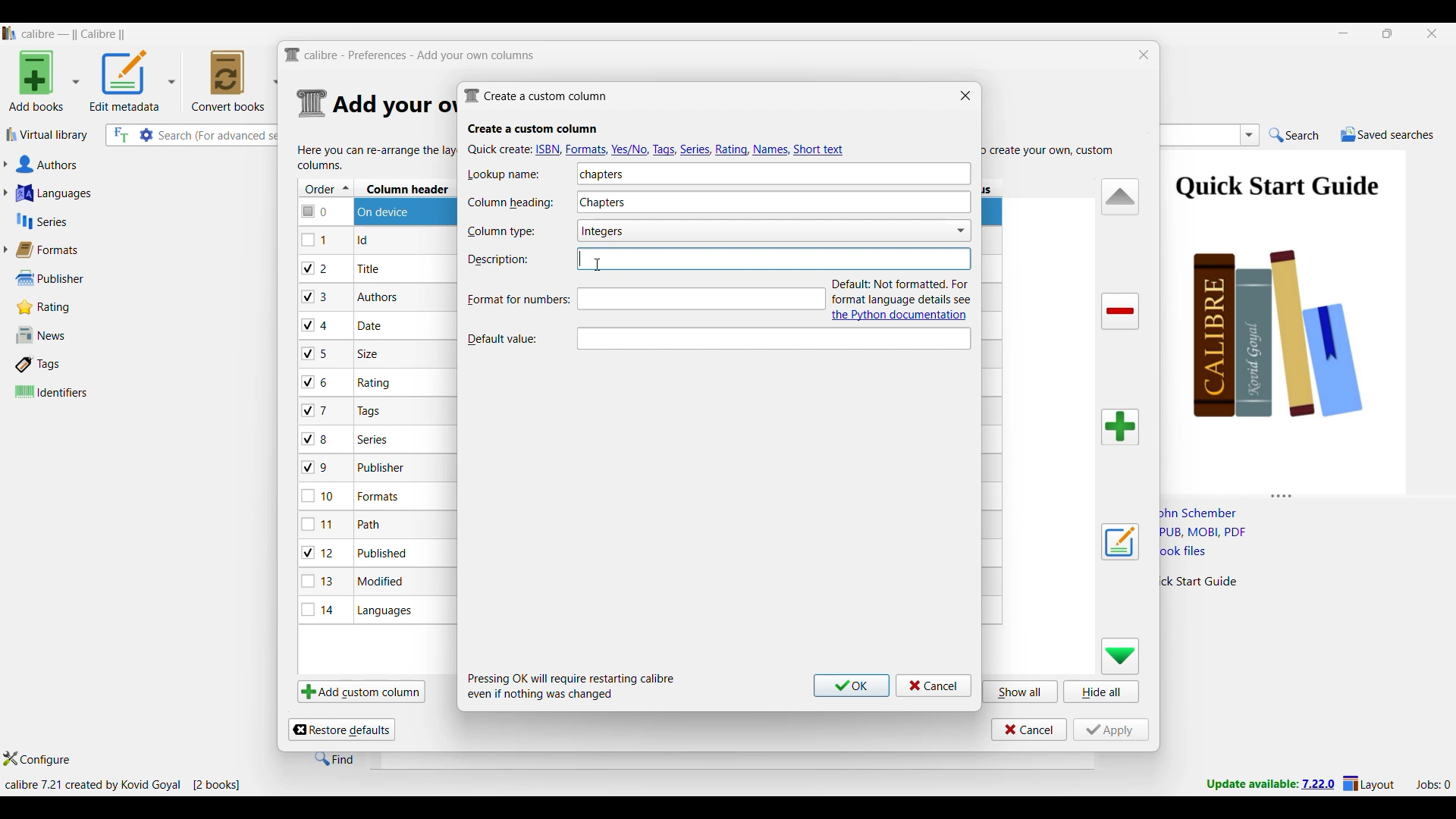 This screenshot has height=819, width=1456. What do you see at coordinates (772, 336) in the screenshot?
I see `Description of current selection by cursor` at bounding box center [772, 336].